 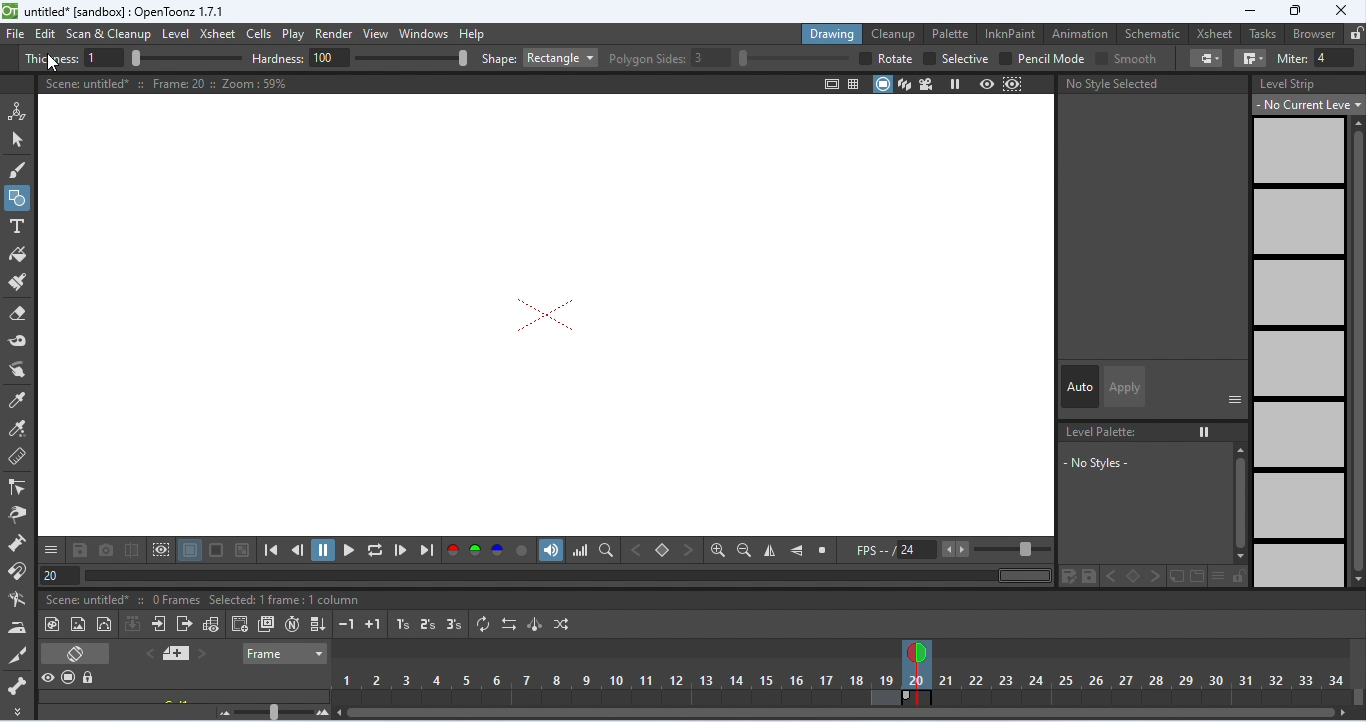 I want to click on show or hide, so click(x=1236, y=400).